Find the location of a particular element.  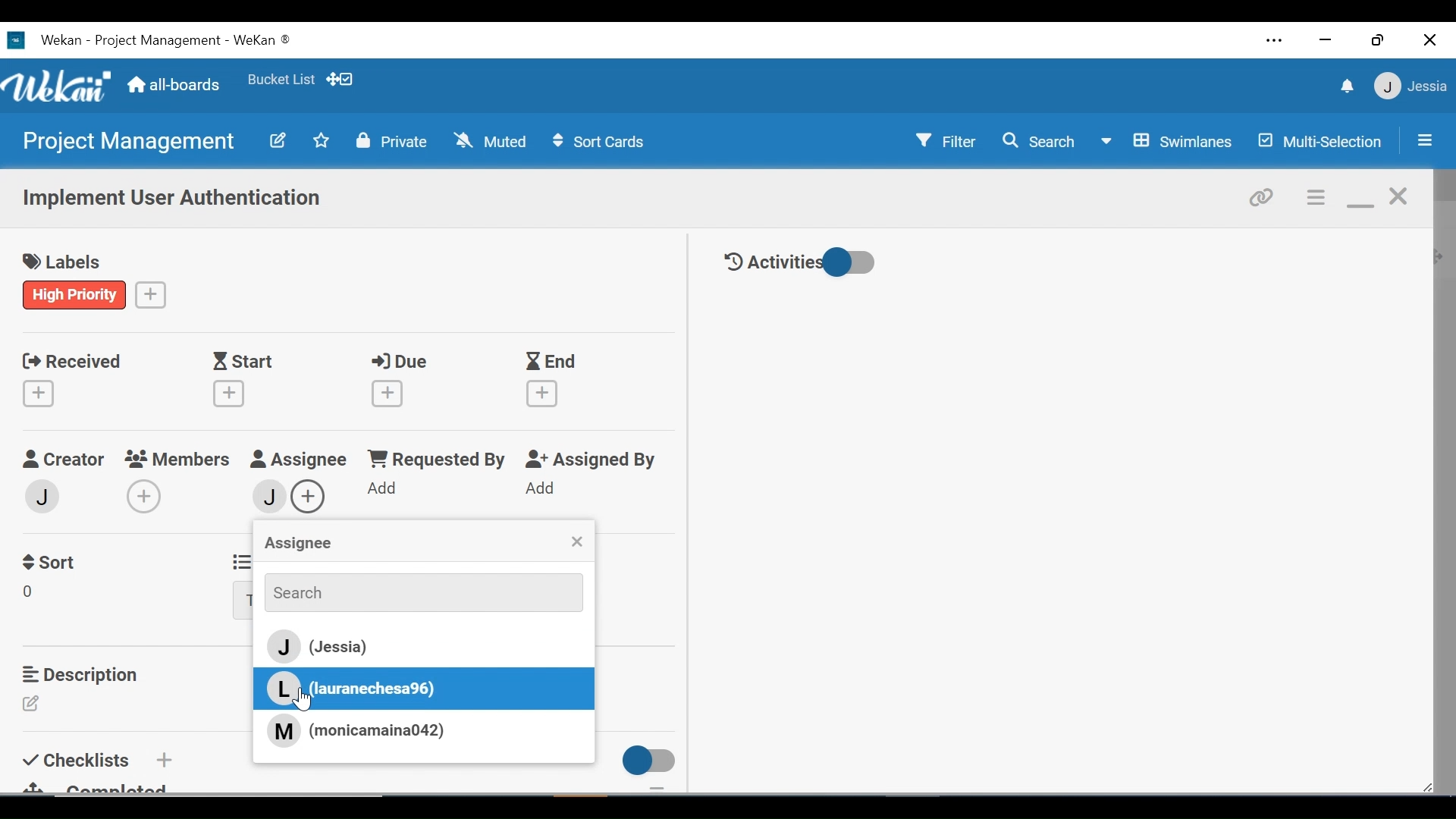

(monicamaina042) is located at coordinates (356, 730).